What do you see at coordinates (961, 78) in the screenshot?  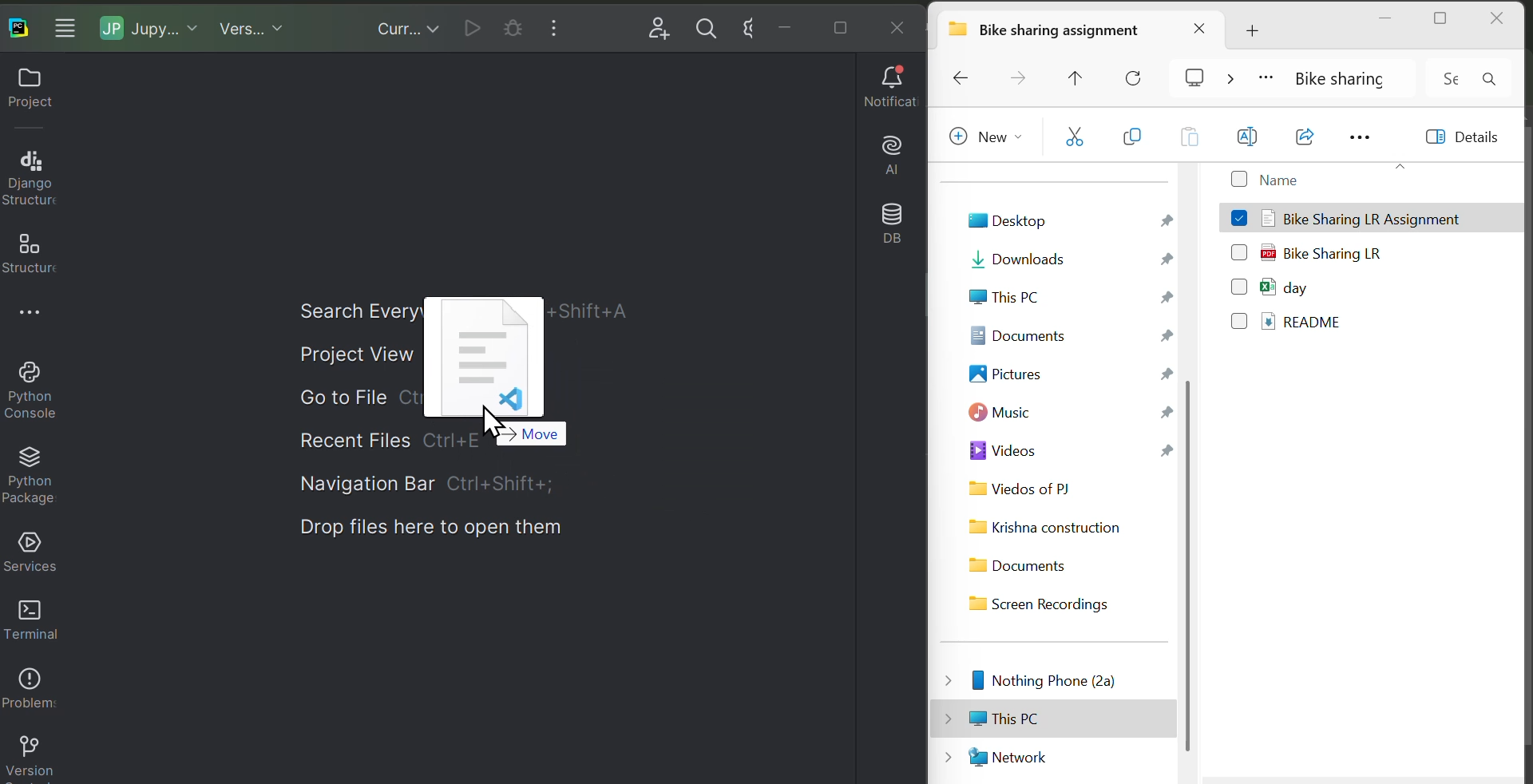 I see `Backward` at bounding box center [961, 78].